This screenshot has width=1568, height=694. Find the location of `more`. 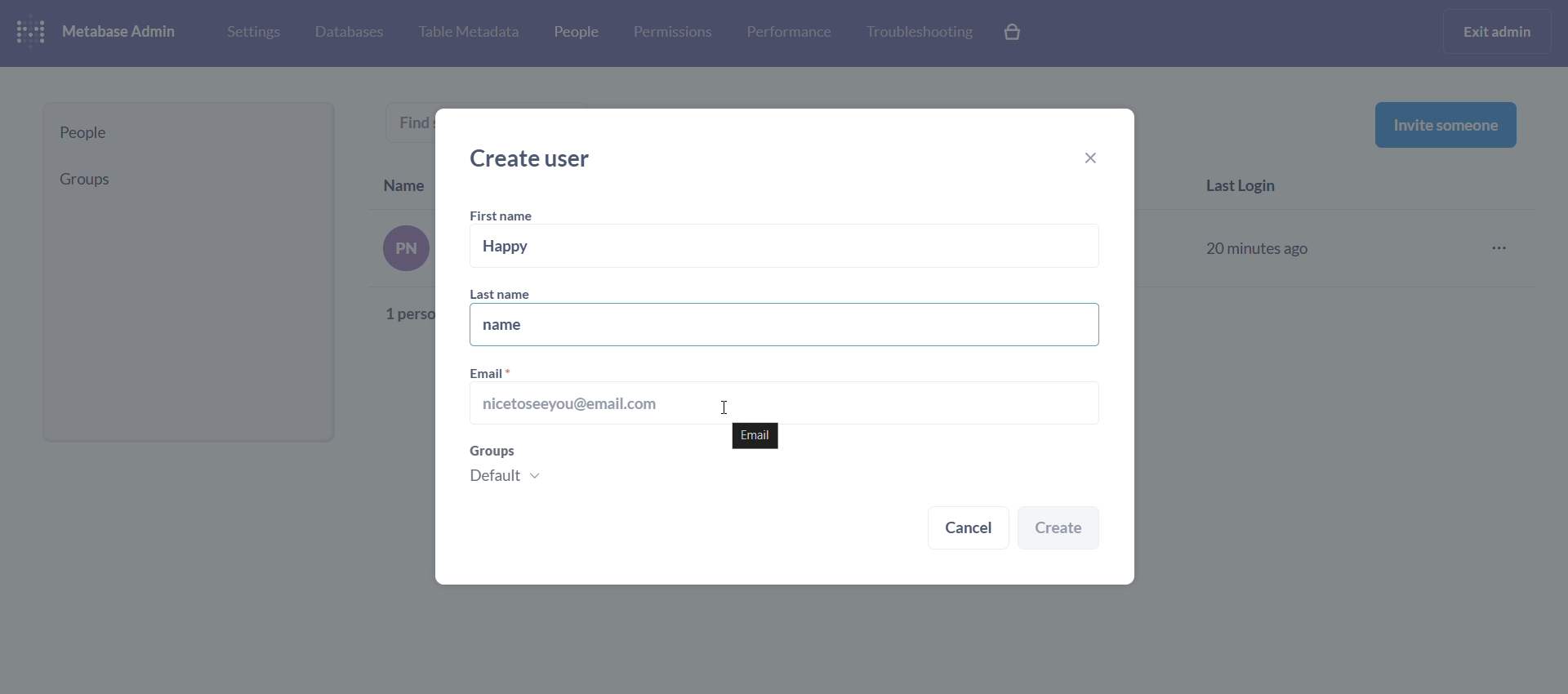

more is located at coordinates (1504, 249).